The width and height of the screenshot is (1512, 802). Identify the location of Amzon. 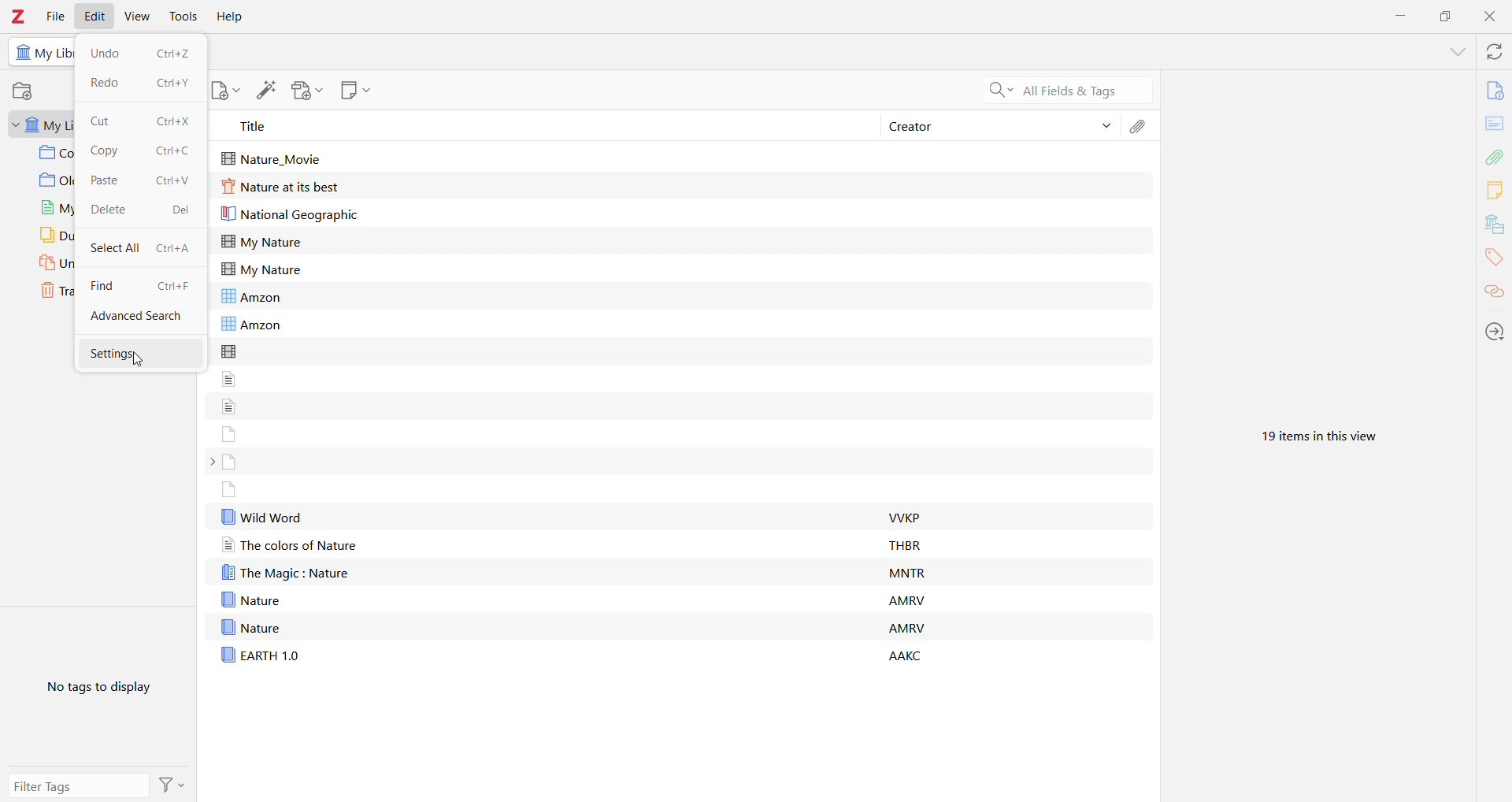
(252, 325).